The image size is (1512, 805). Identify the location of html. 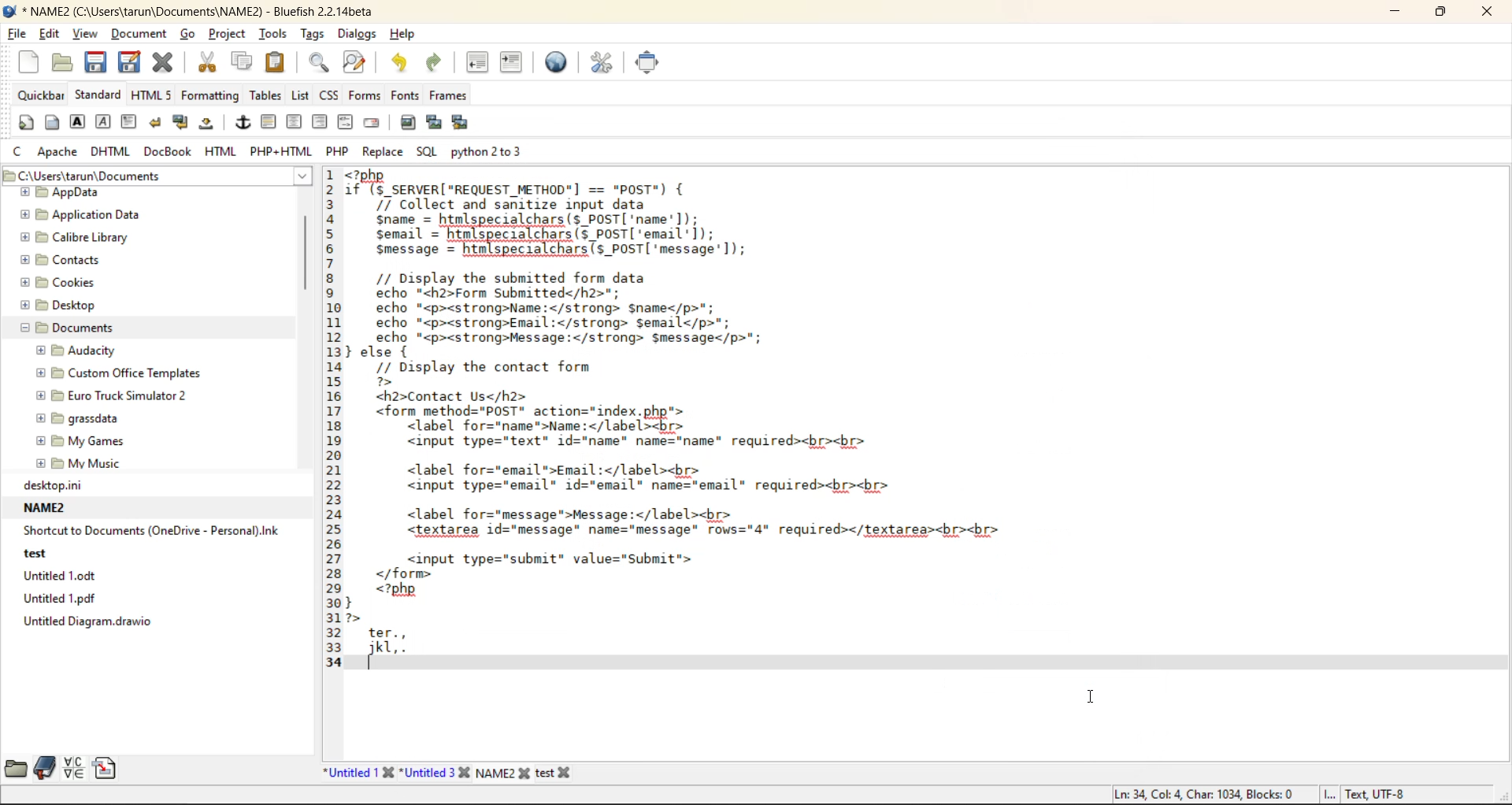
(220, 153).